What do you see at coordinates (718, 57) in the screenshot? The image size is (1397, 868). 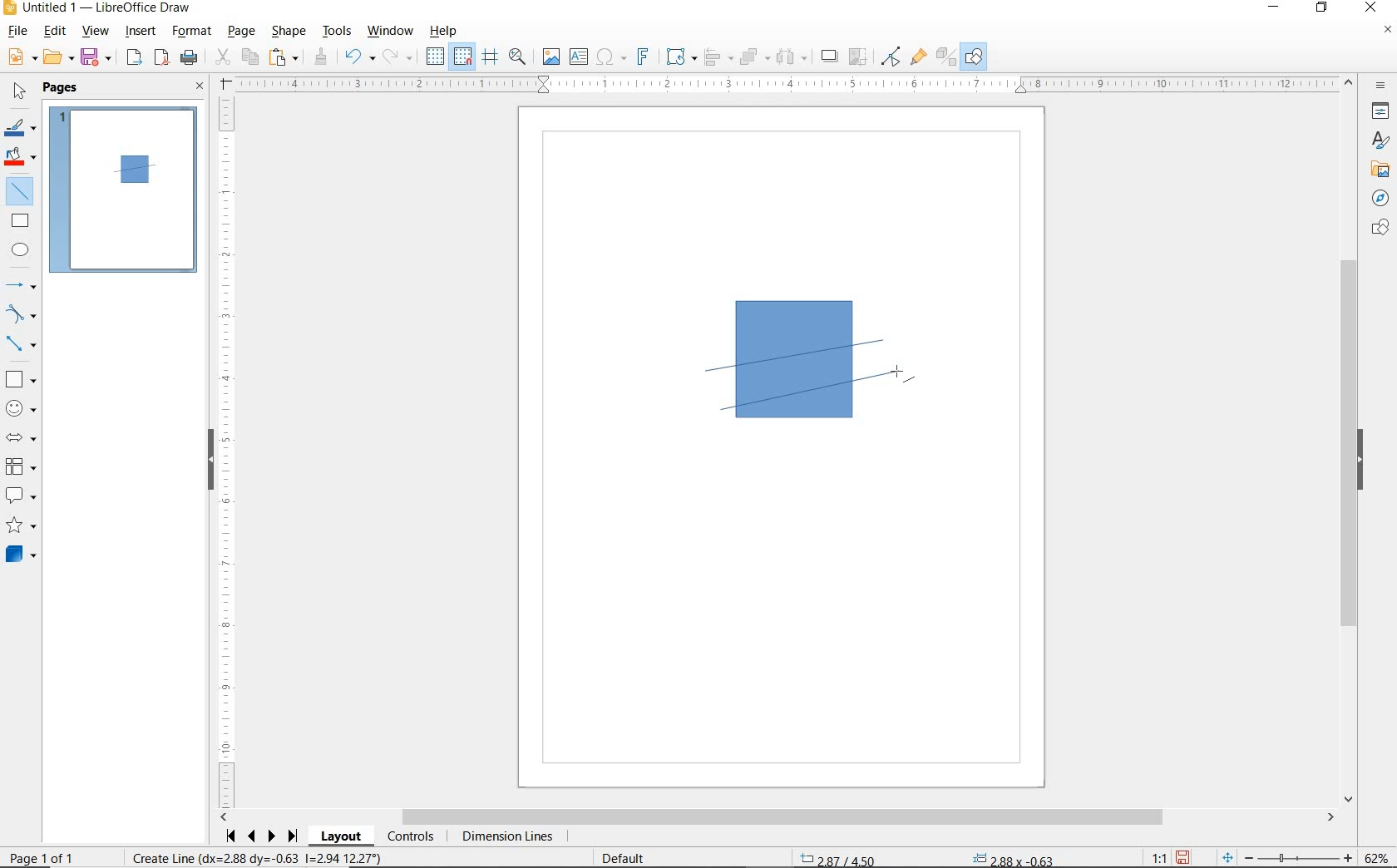 I see `ALIGN OBJECTS` at bounding box center [718, 57].